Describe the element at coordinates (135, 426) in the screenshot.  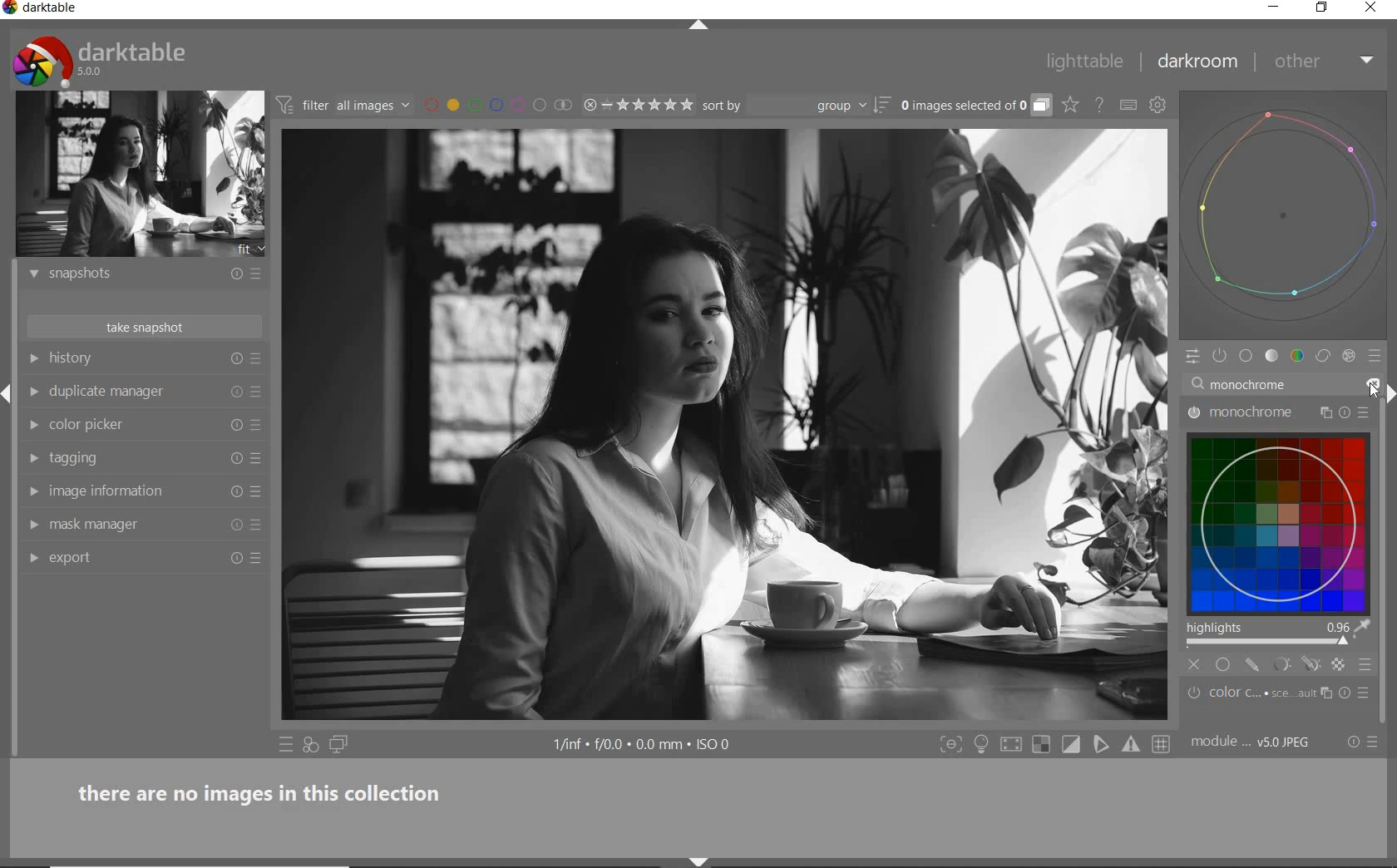
I see `color picker` at that location.